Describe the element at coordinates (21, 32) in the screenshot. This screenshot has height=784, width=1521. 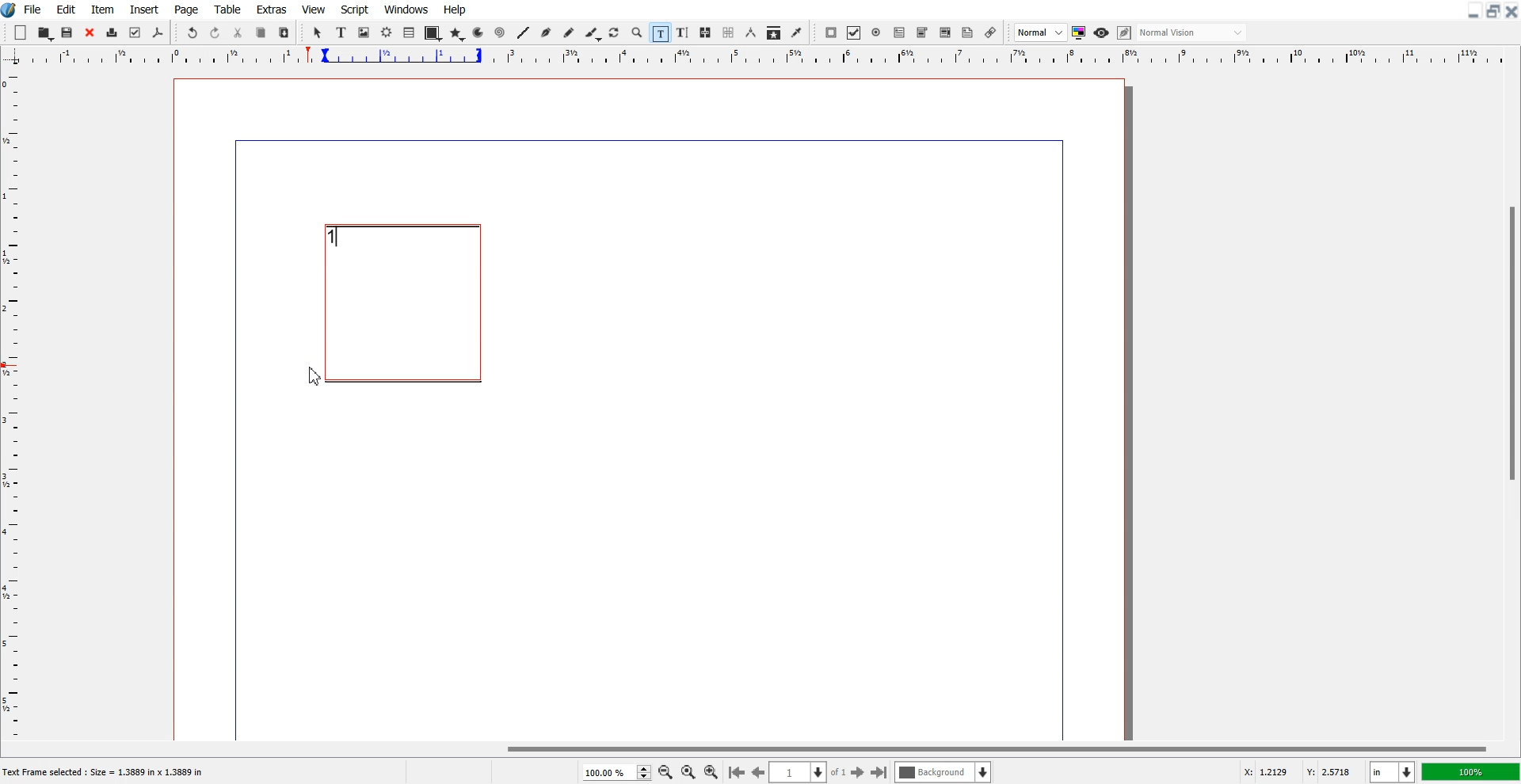
I see `New` at that location.